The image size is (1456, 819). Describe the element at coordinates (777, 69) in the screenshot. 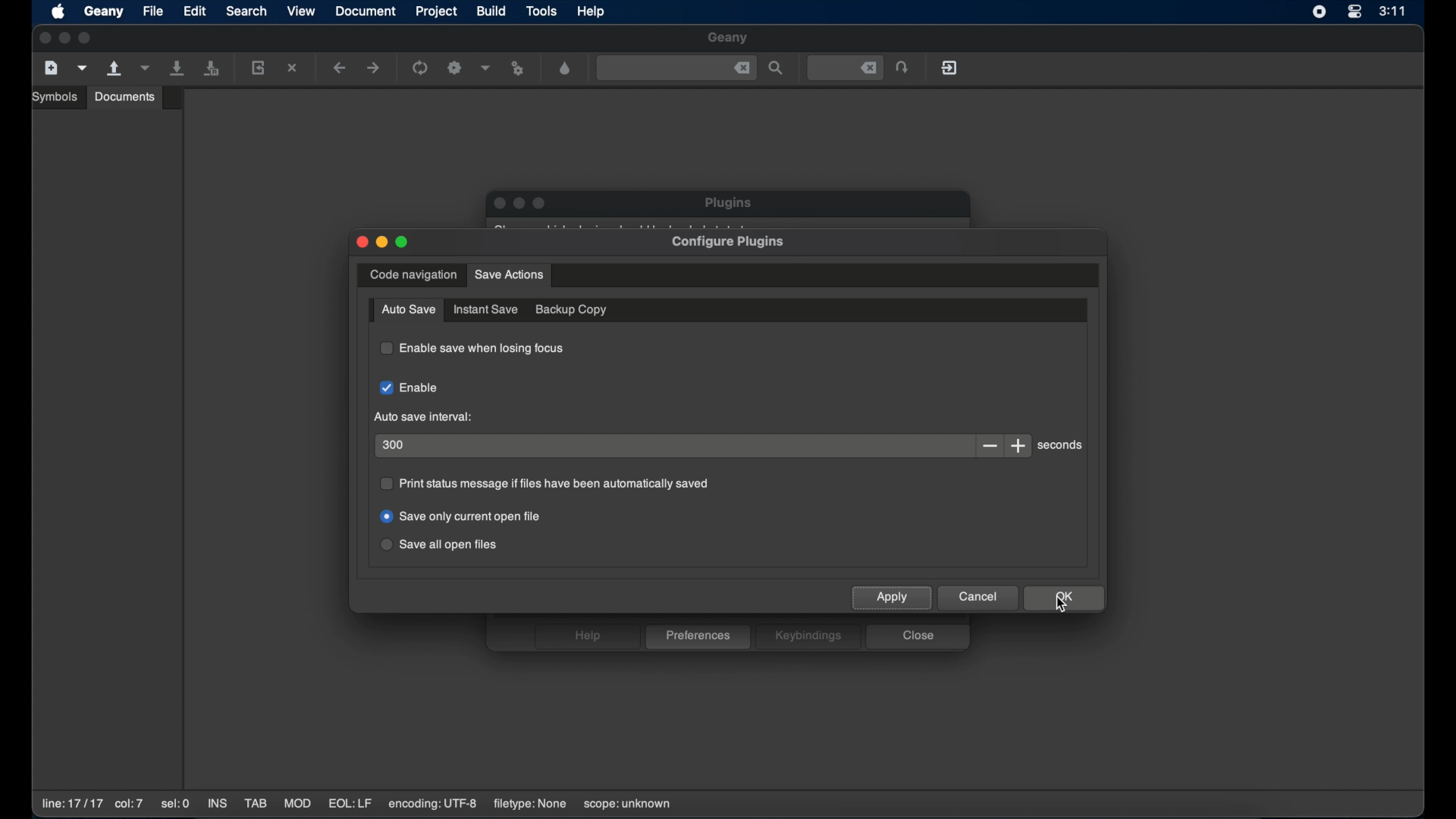

I see `find the entered text in the file` at that location.